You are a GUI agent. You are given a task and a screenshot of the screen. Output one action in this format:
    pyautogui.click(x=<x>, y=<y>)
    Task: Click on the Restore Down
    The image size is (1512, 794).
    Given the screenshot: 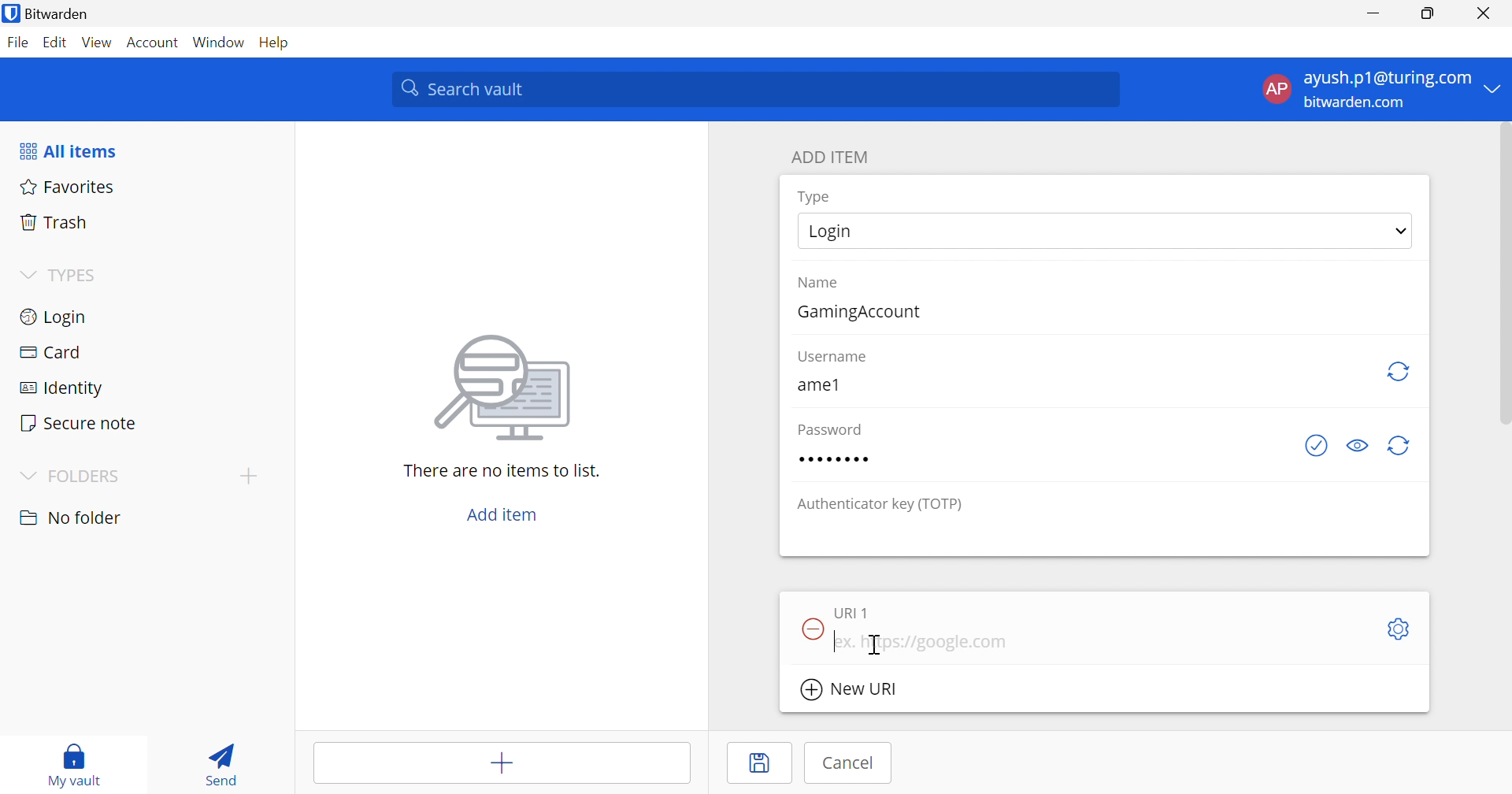 What is the action you would take?
    pyautogui.click(x=1429, y=14)
    